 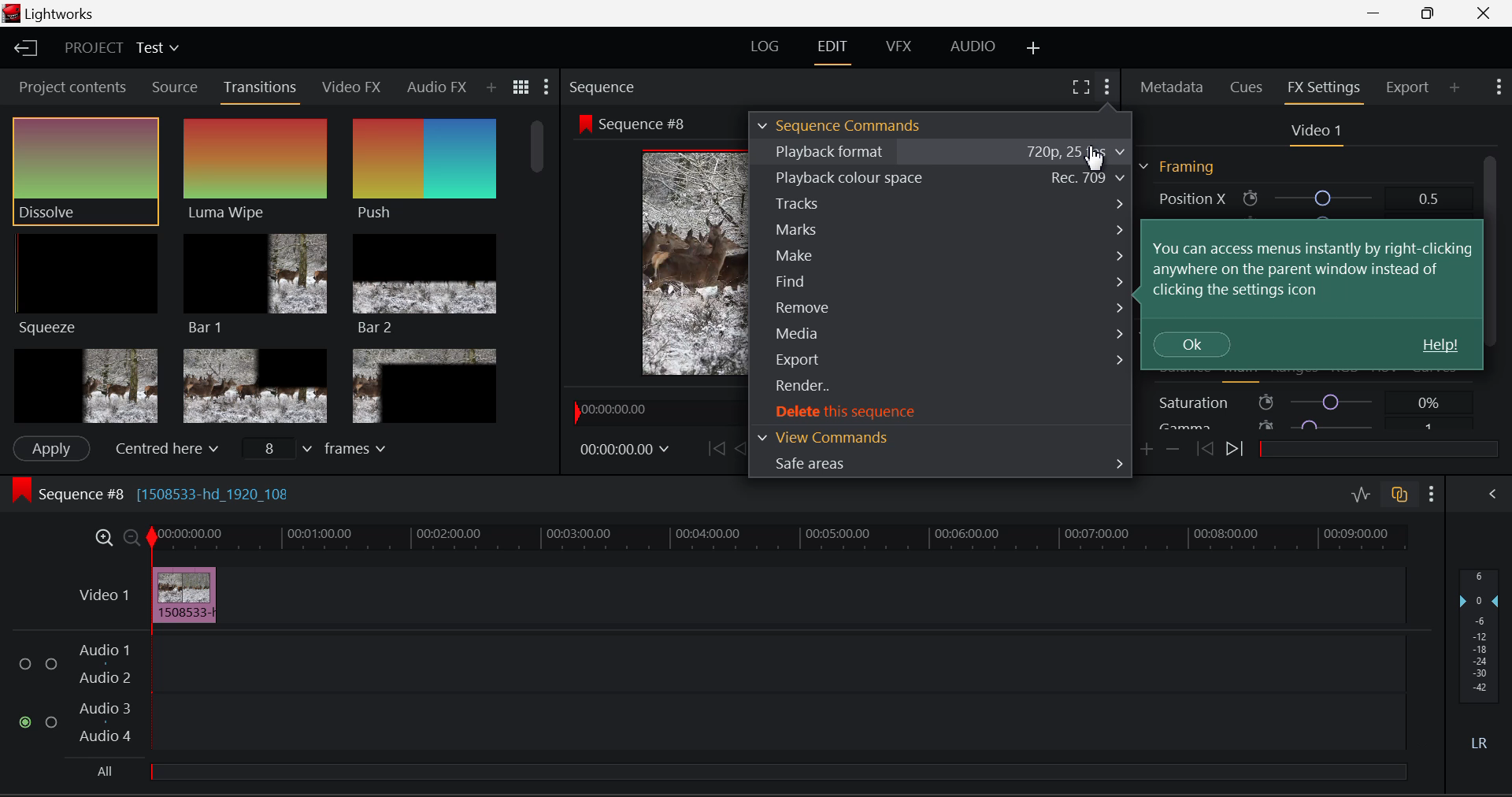 What do you see at coordinates (769, 46) in the screenshot?
I see `LOG Layout` at bounding box center [769, 46].